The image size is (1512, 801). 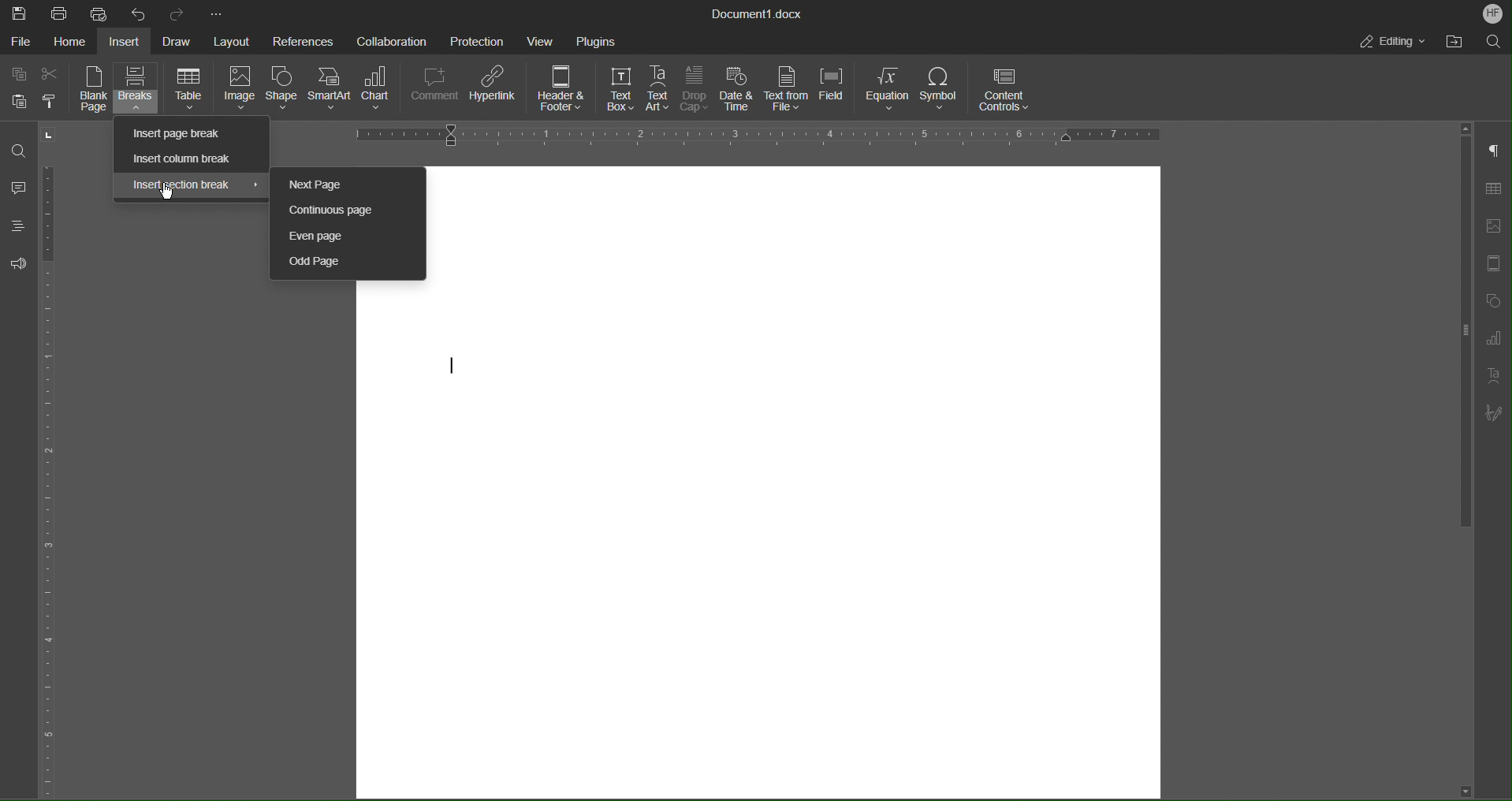 What do you see at coordinates (1492, 152) in the screenshot?
I see `Non-Printing Characters` at bounding box center [1492, 152].